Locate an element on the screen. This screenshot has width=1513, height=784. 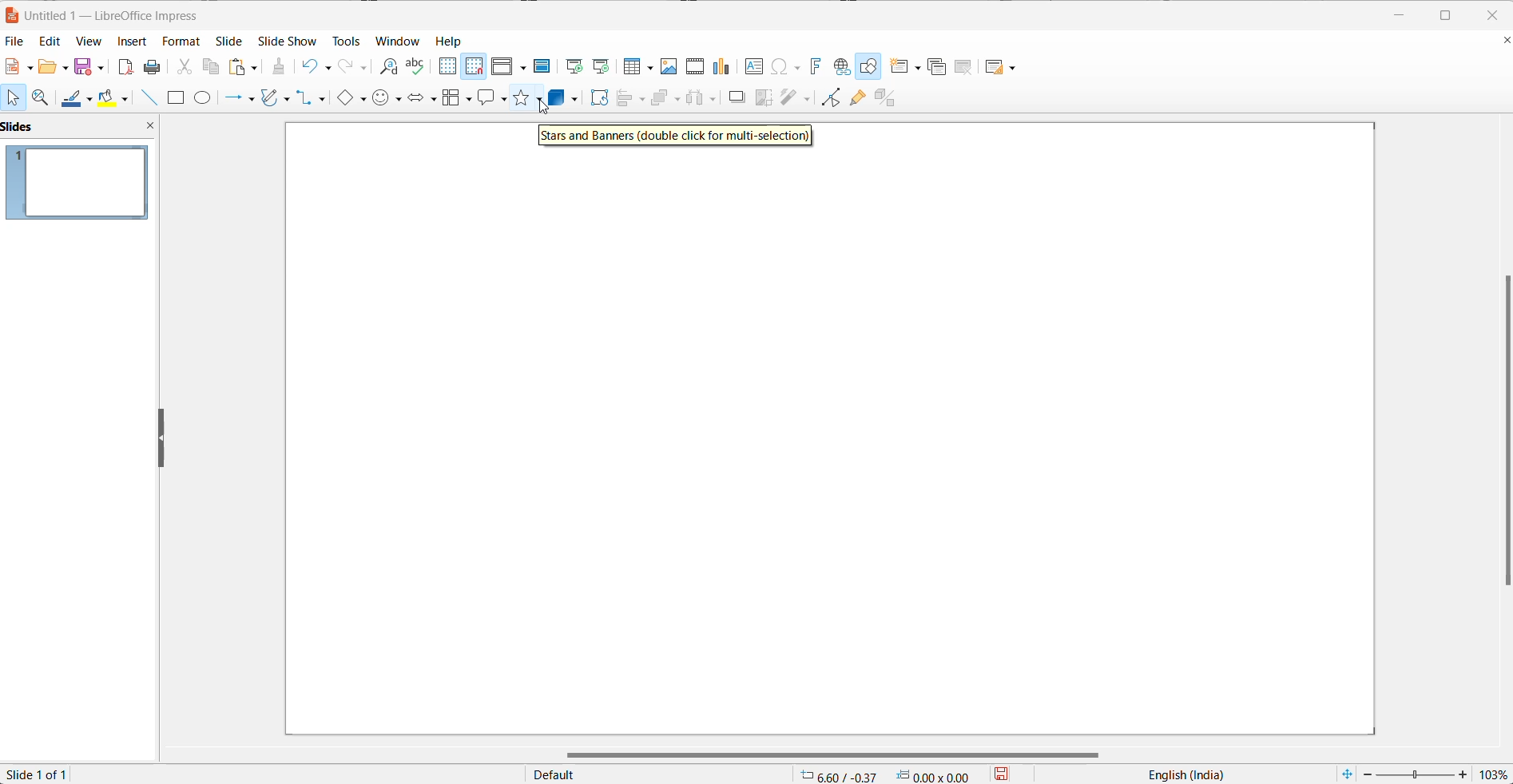
resize is located at coordinates (162, 439).